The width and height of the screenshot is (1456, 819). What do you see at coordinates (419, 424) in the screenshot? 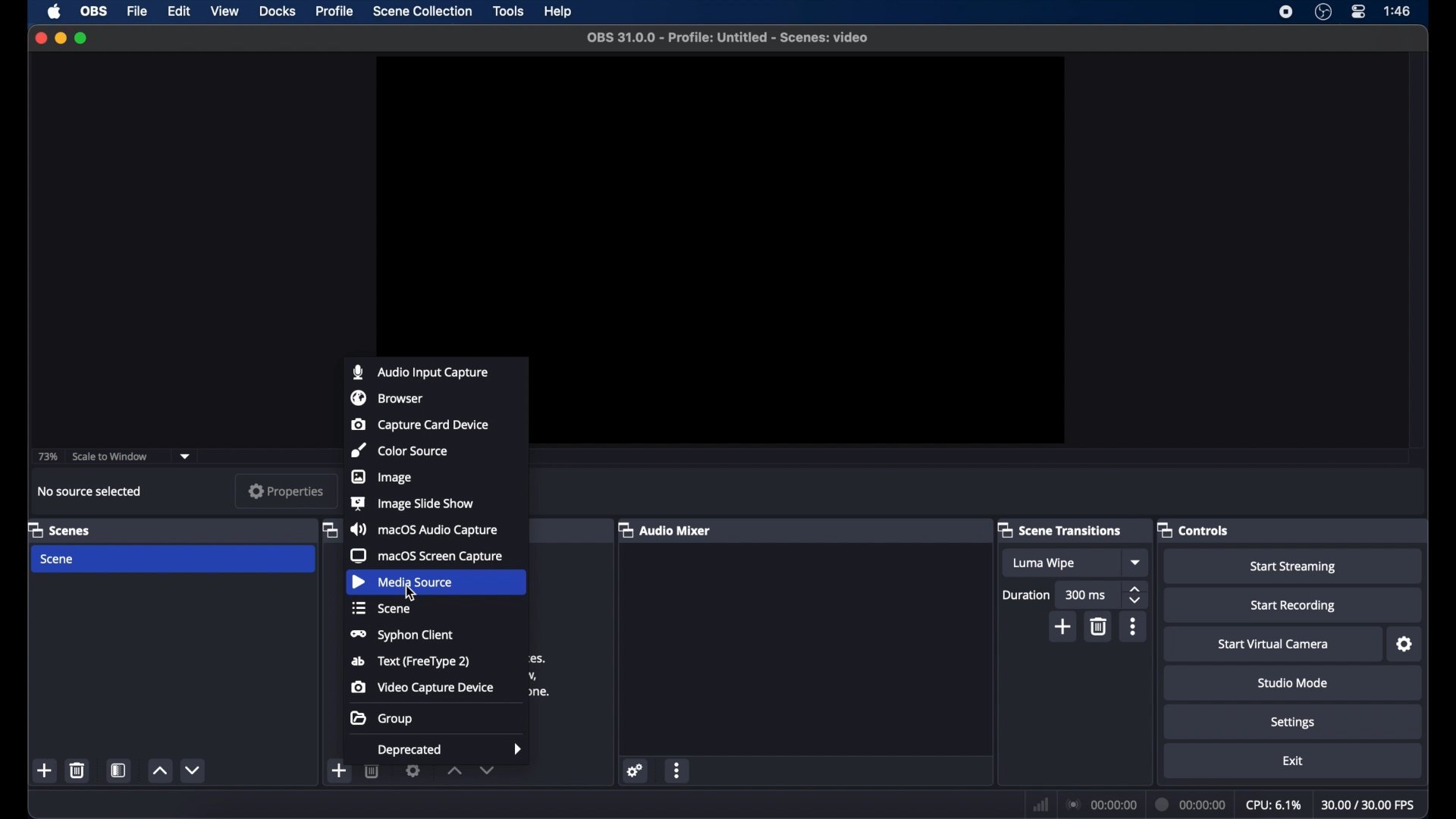
I see `capture card device` at bounding box center [419, 424].